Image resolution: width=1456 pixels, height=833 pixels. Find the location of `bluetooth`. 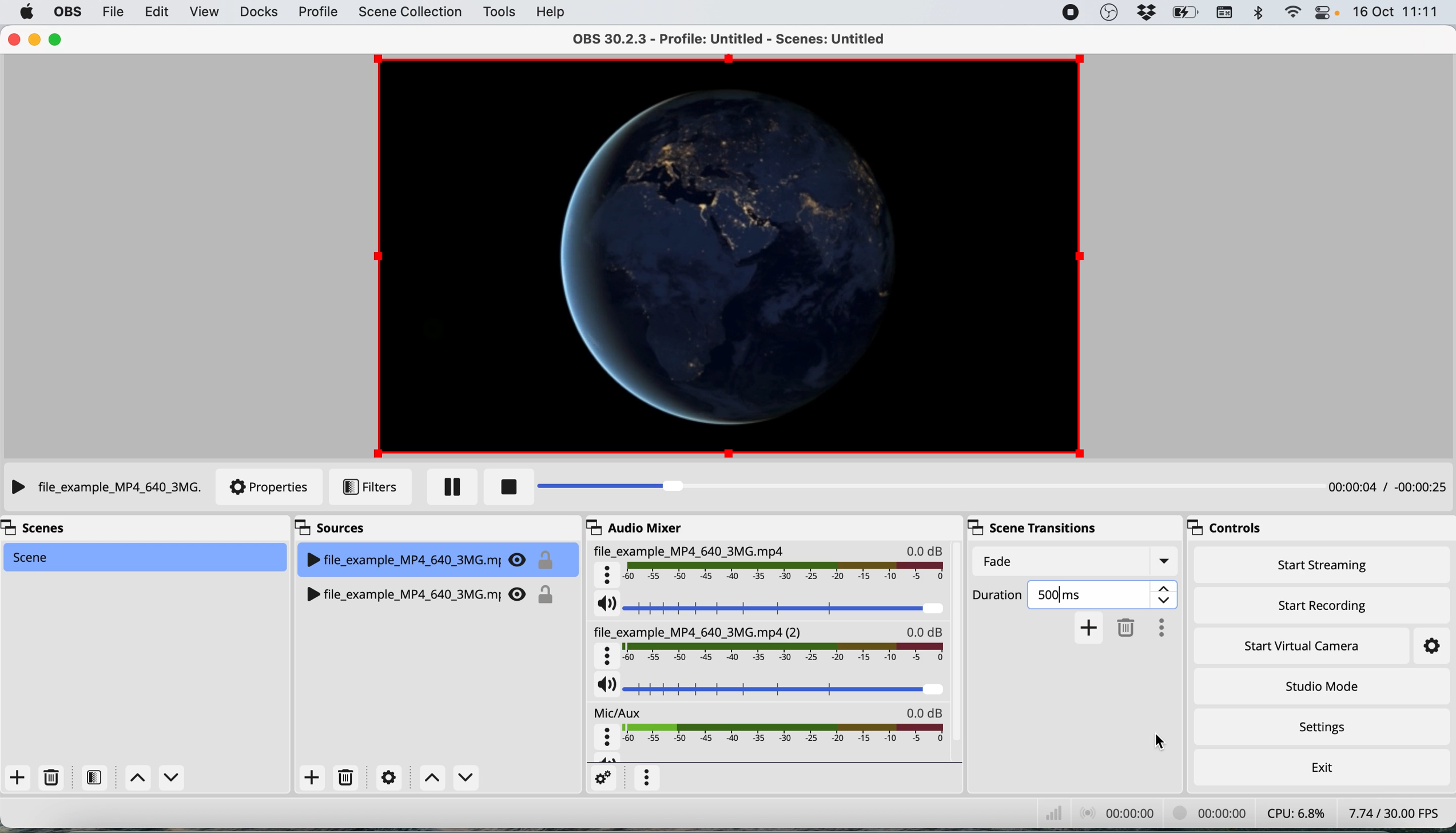

bluetooth is located at coordinates (1260, 16).